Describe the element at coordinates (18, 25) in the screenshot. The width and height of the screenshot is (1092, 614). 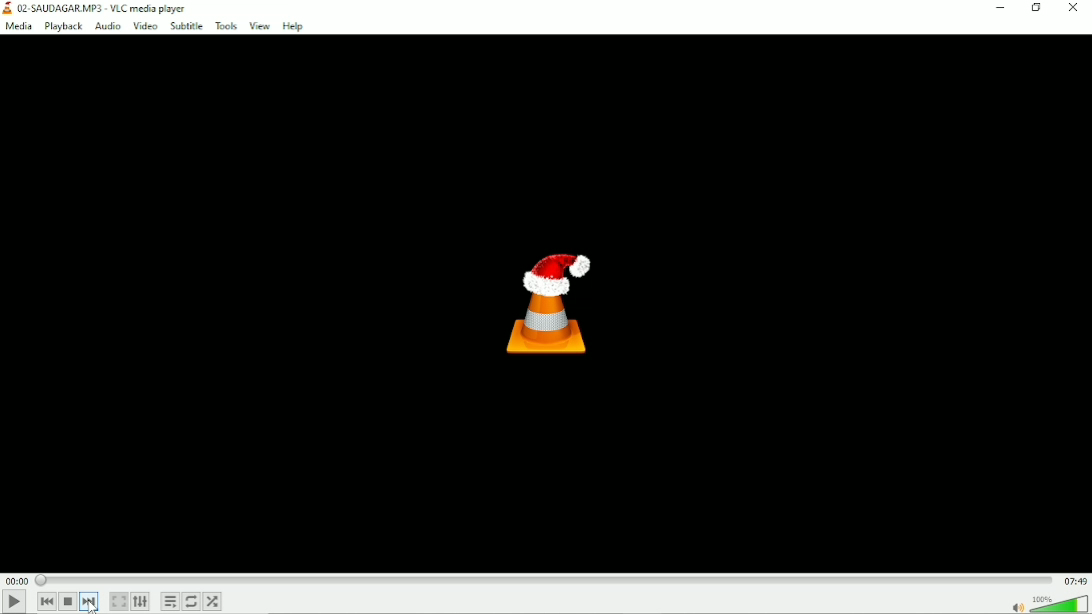
I see `Media` at that location.